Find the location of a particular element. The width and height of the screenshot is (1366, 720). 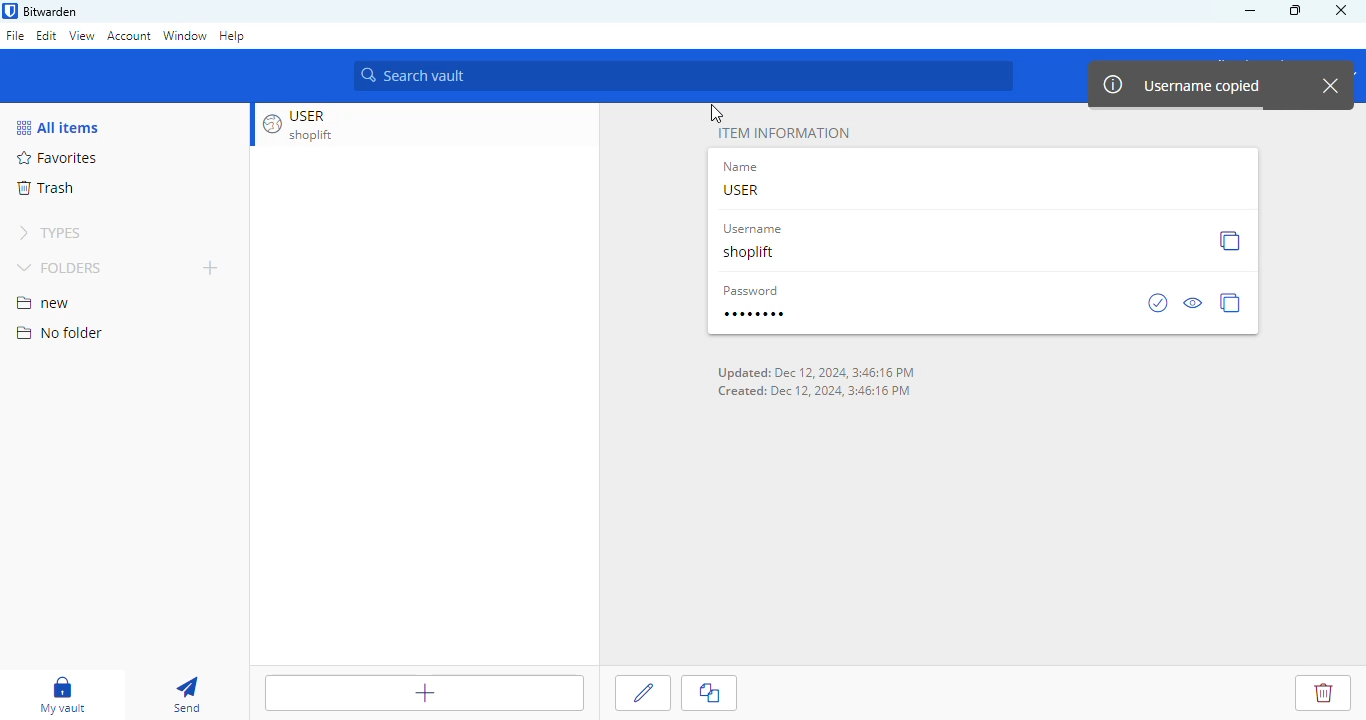

password is located at coordinates (755, 313).